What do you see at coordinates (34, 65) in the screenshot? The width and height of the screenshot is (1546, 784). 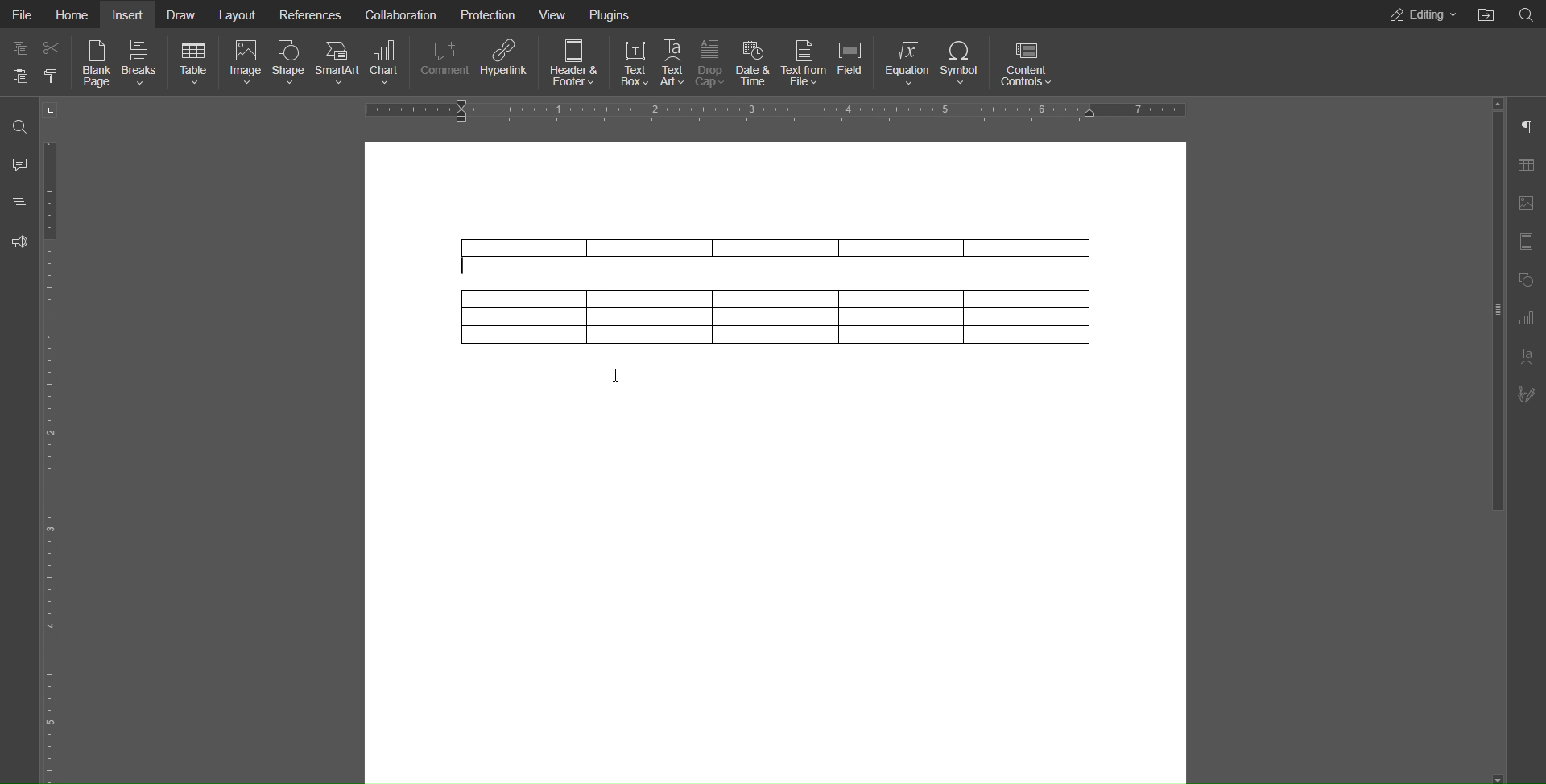 I see `Cut Copy Paste Options` at bounding box center [34, 65].